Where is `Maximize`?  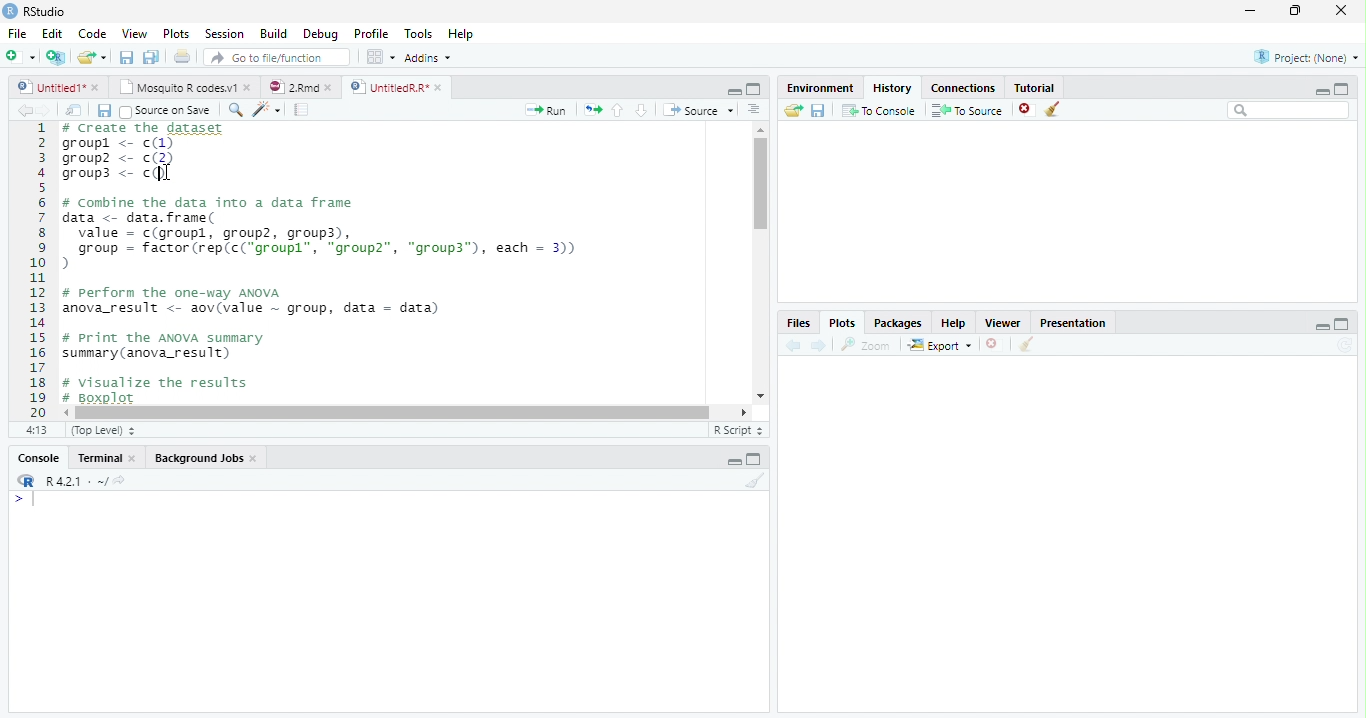
Maximize is located at coordinates (754, 90).